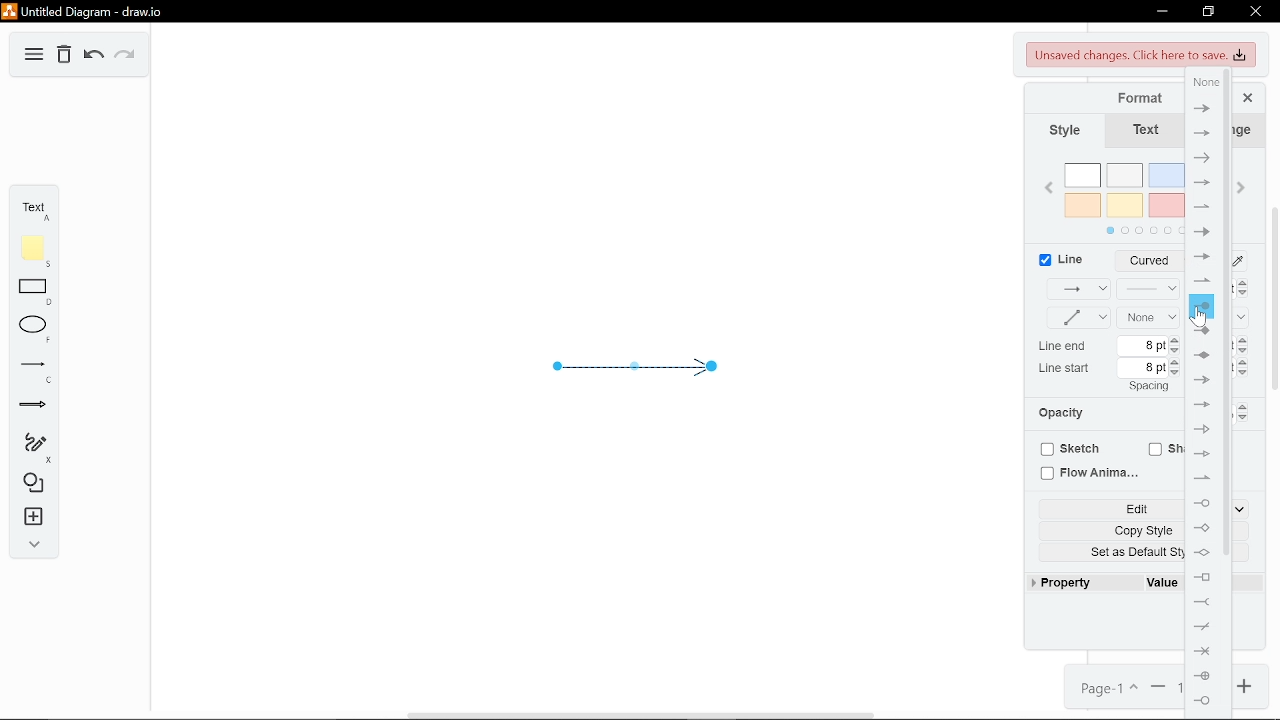  Describe the element at coordinates (1244, 688) in the screenshot. I see `Zoom in` at that location.